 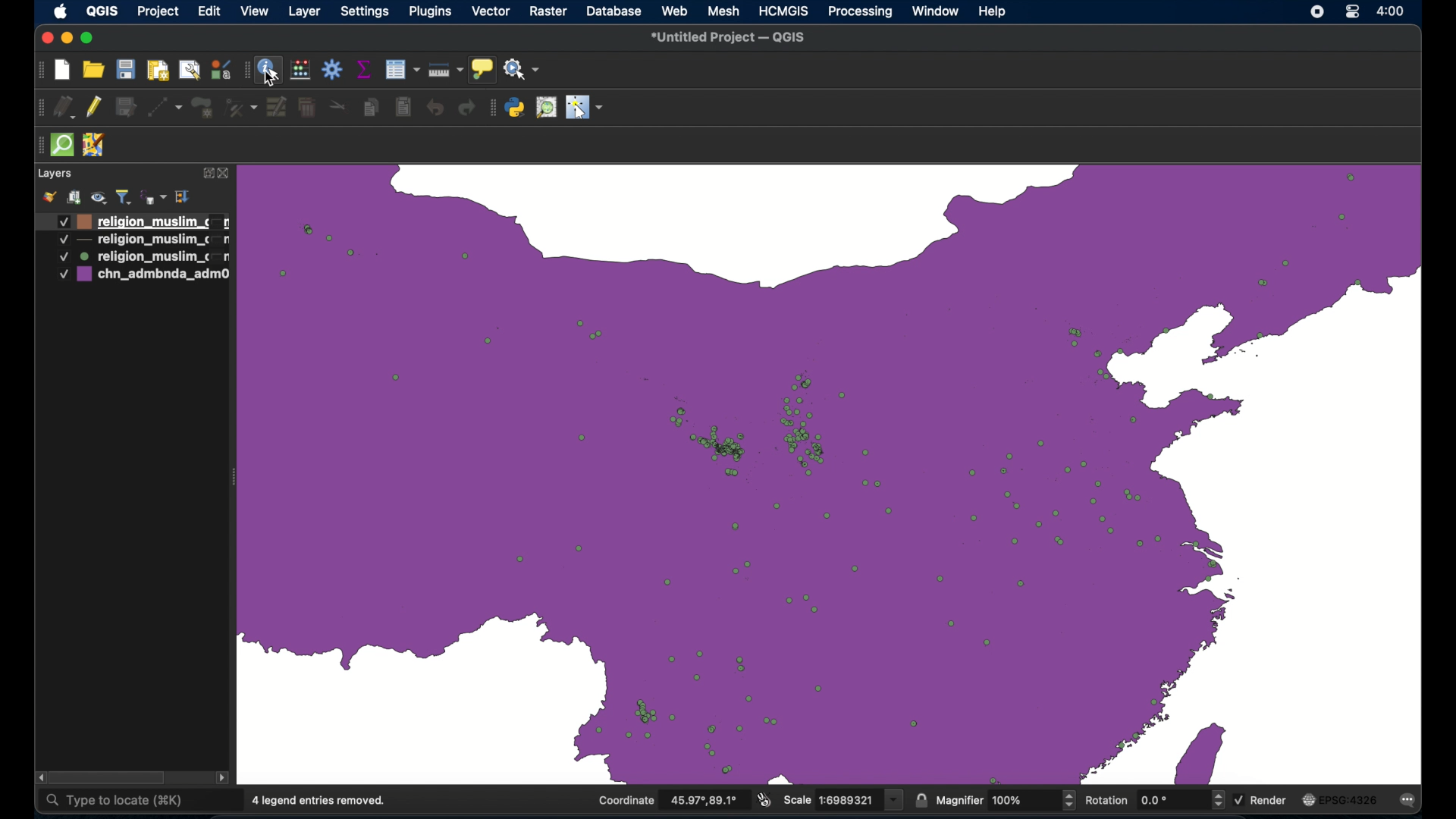 What do you see at coordinates (783, 11) in the screenshot?
I see `HCMGIS` at bounding box center [783, 11].